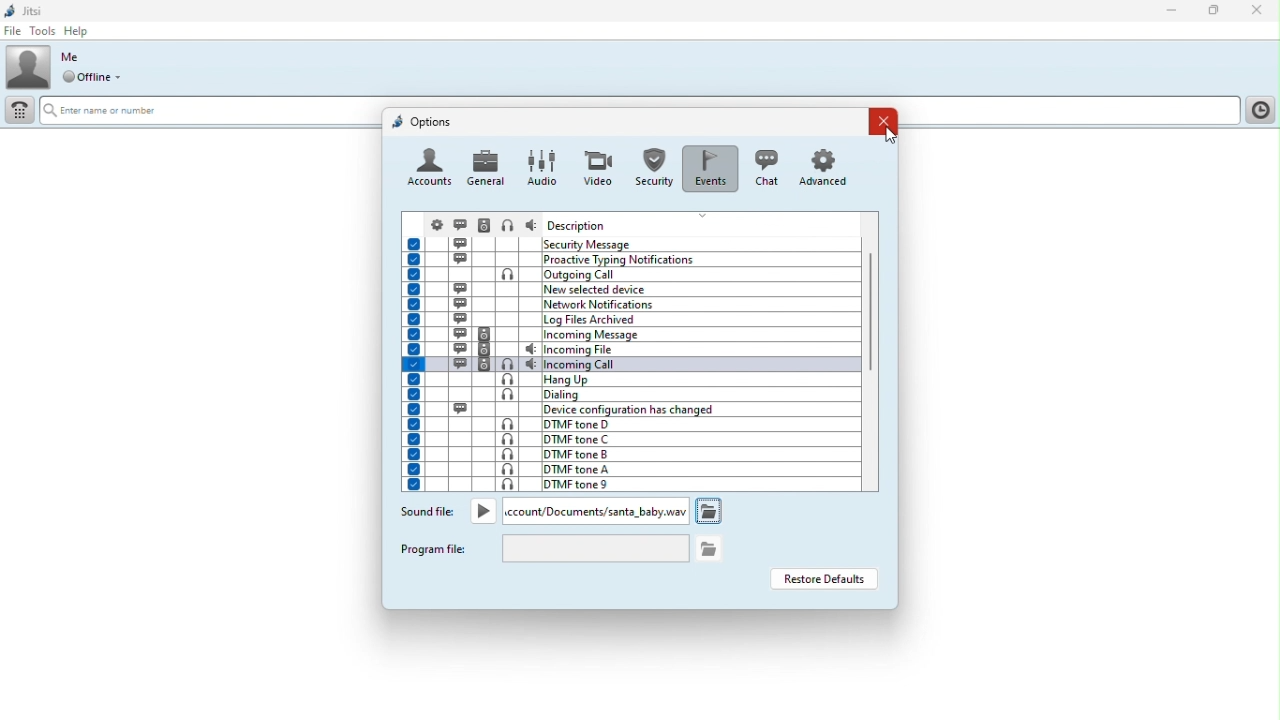 The image size is (1280, 720). What do you see at coordinates (541, 168) in the screenshot?
I see `audio` at bounding box center [541, 168].